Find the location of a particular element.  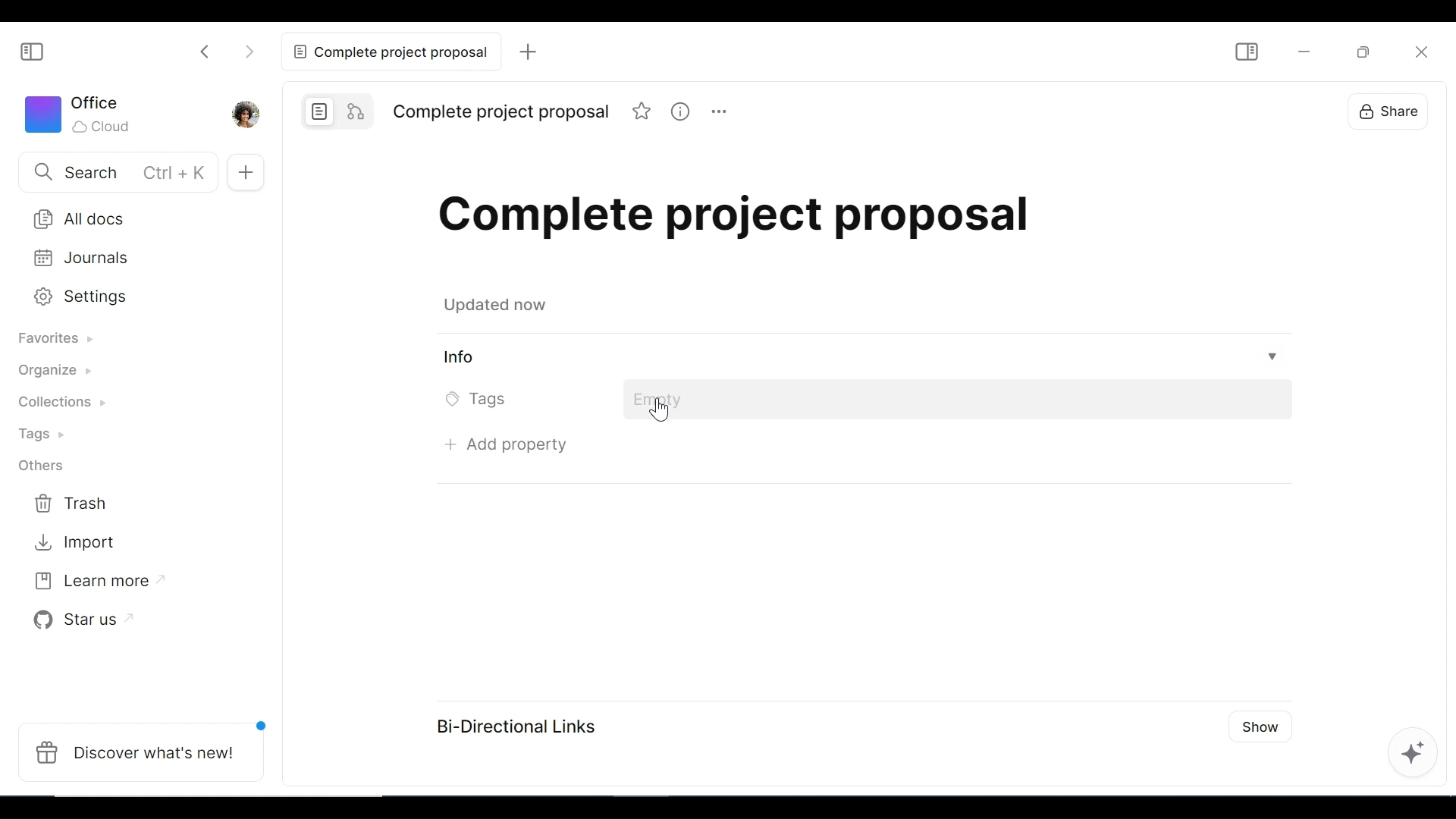

favorite is located at coordinates (643, 114).